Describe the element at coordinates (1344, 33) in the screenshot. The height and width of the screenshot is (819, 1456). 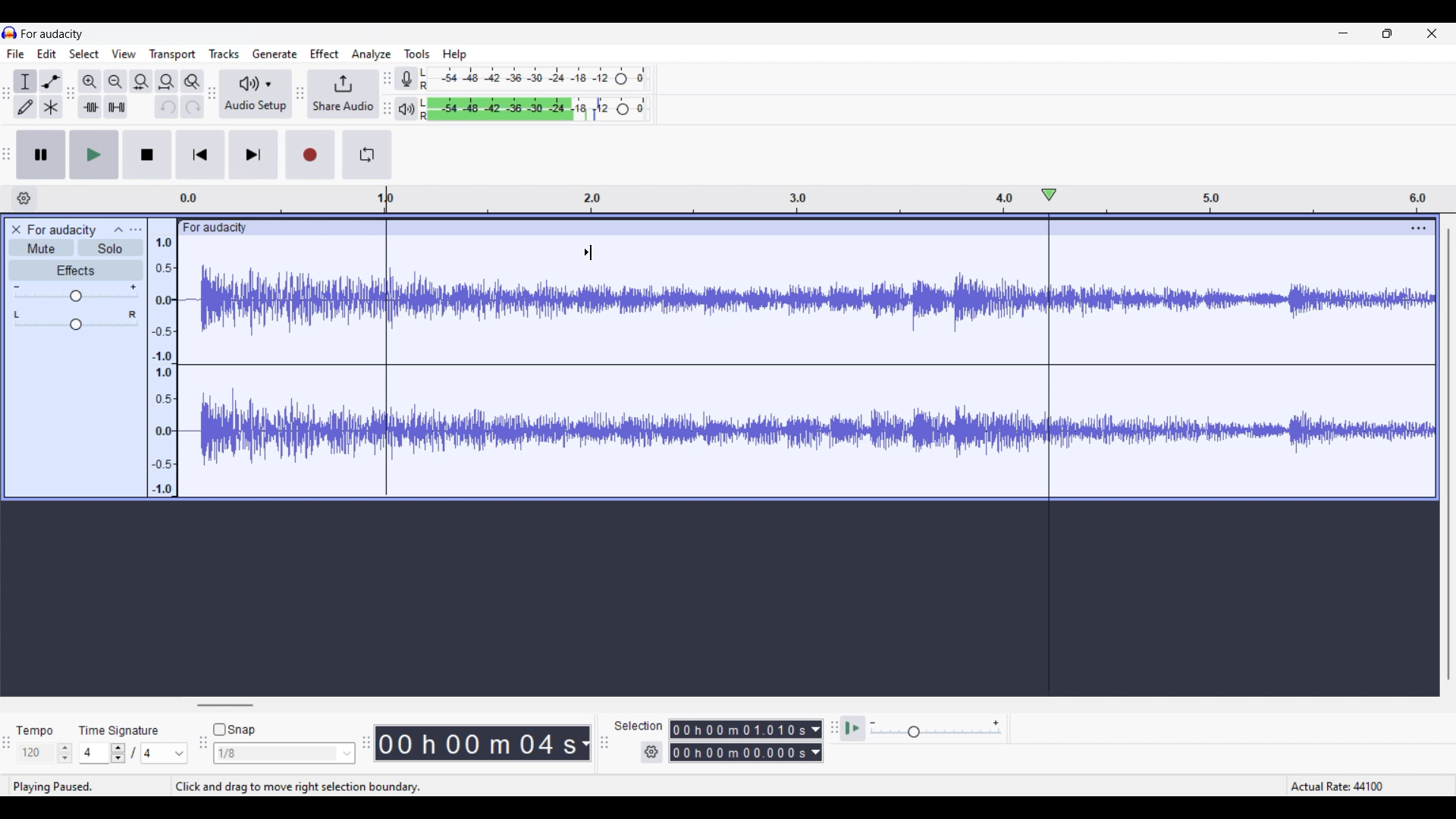
I see `Minimize` at that location.